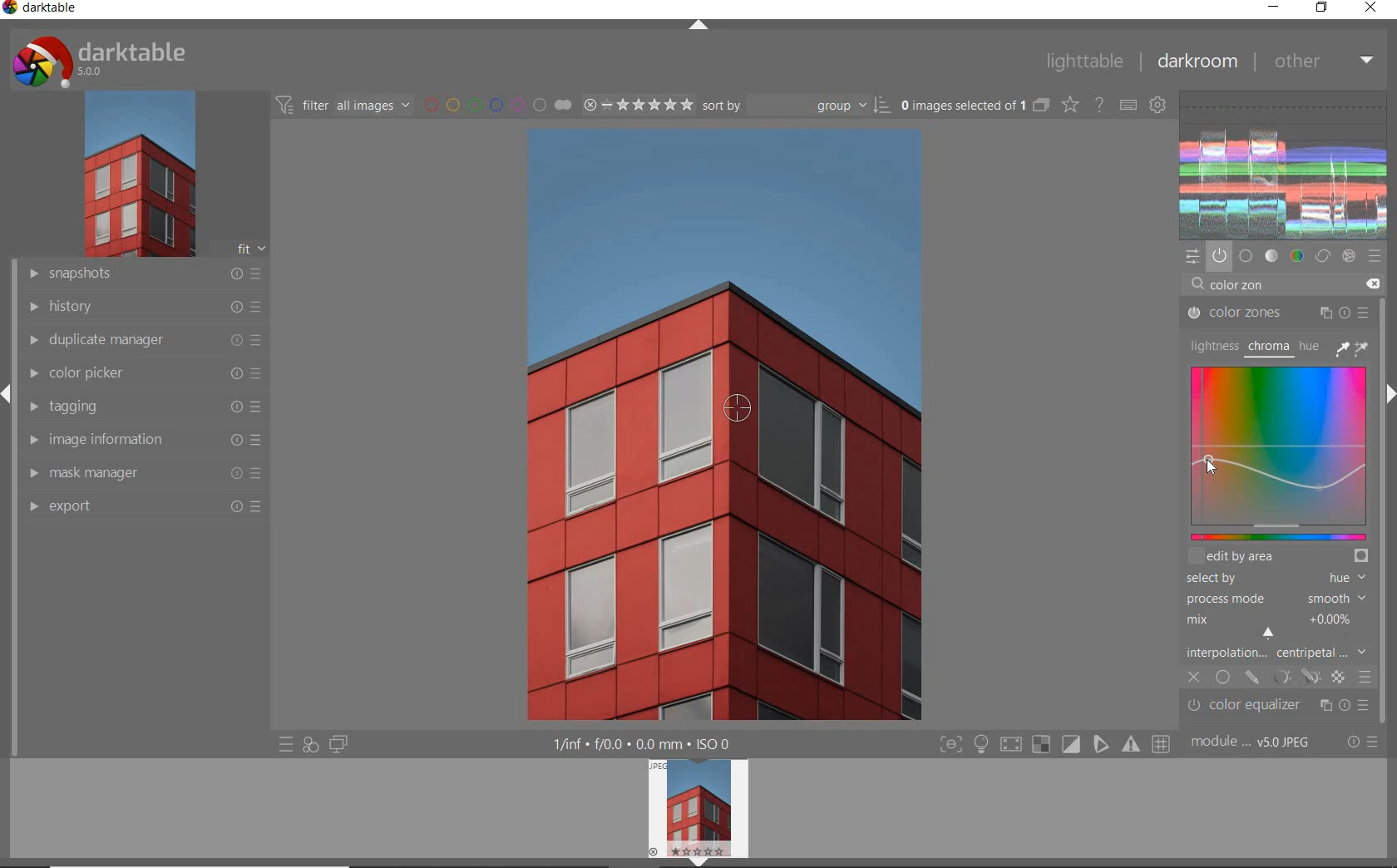  I want to click on history, so click(141, 308).